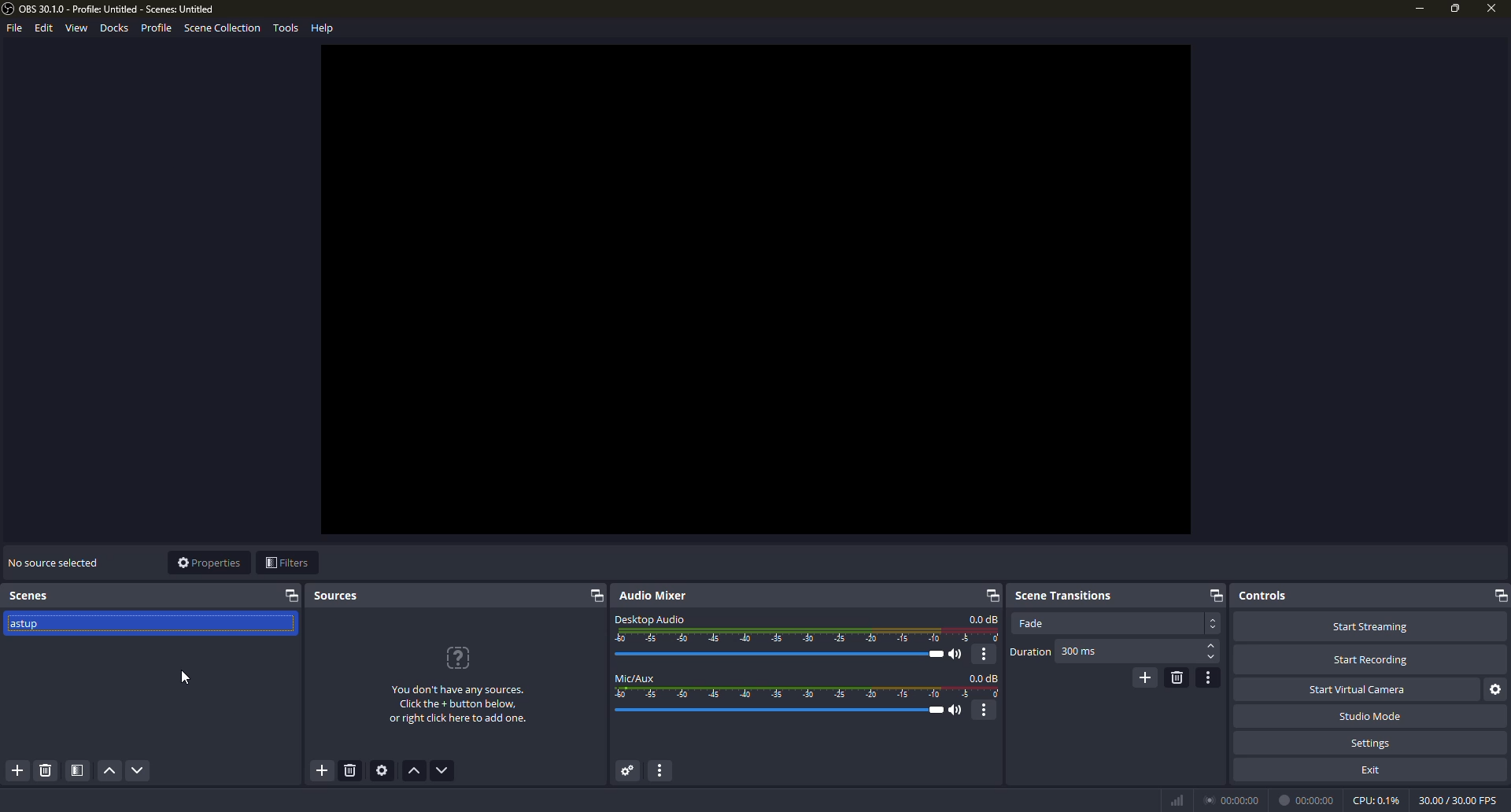 This screenshot has height=812, width=1511. What do you see at coordinates (1361, 688) in the screenshot?
I see `start virtual camera` at bounding box center [1361, 688].